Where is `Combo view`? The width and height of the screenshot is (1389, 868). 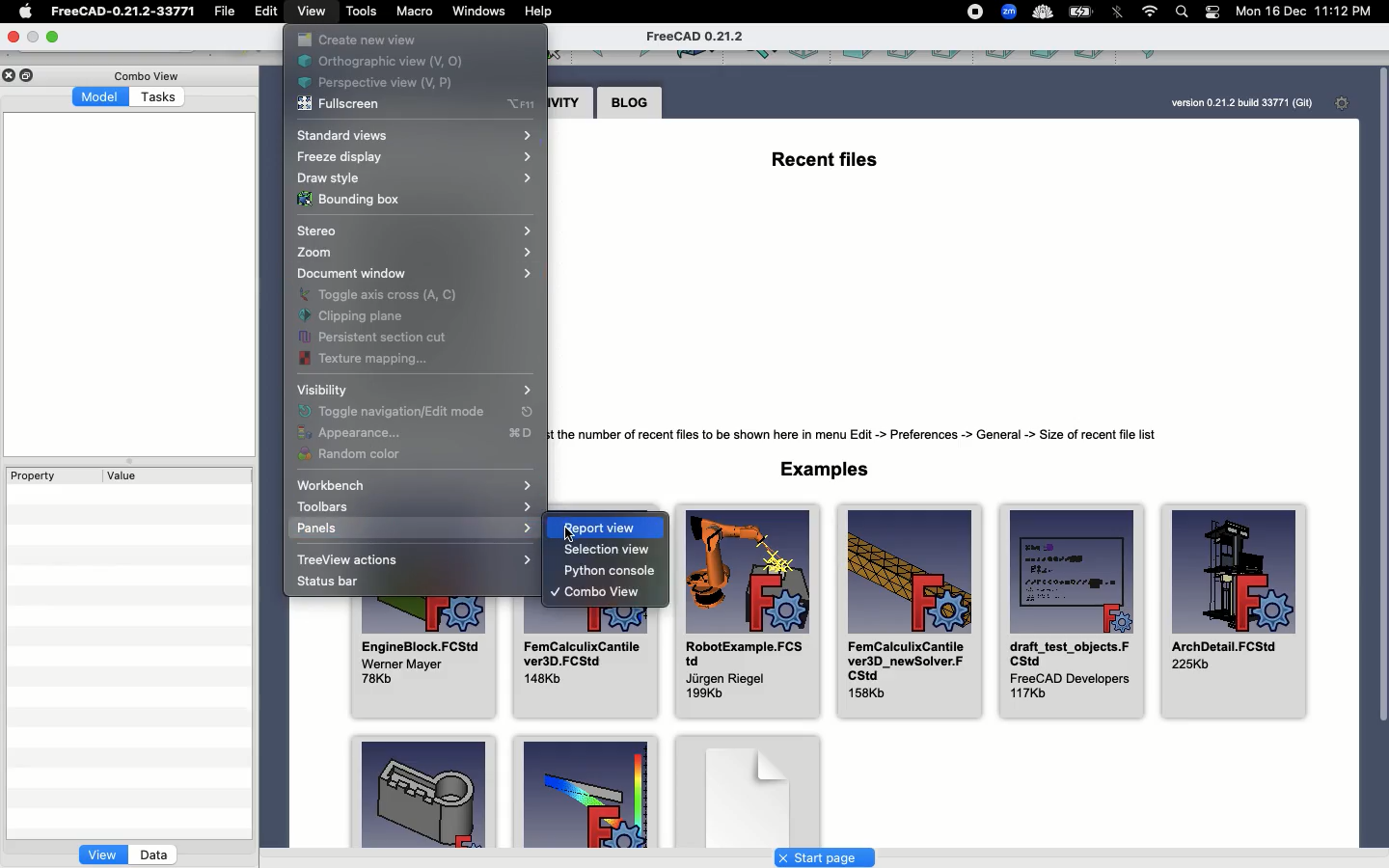 Combo view is located at coordinates (595, 594).